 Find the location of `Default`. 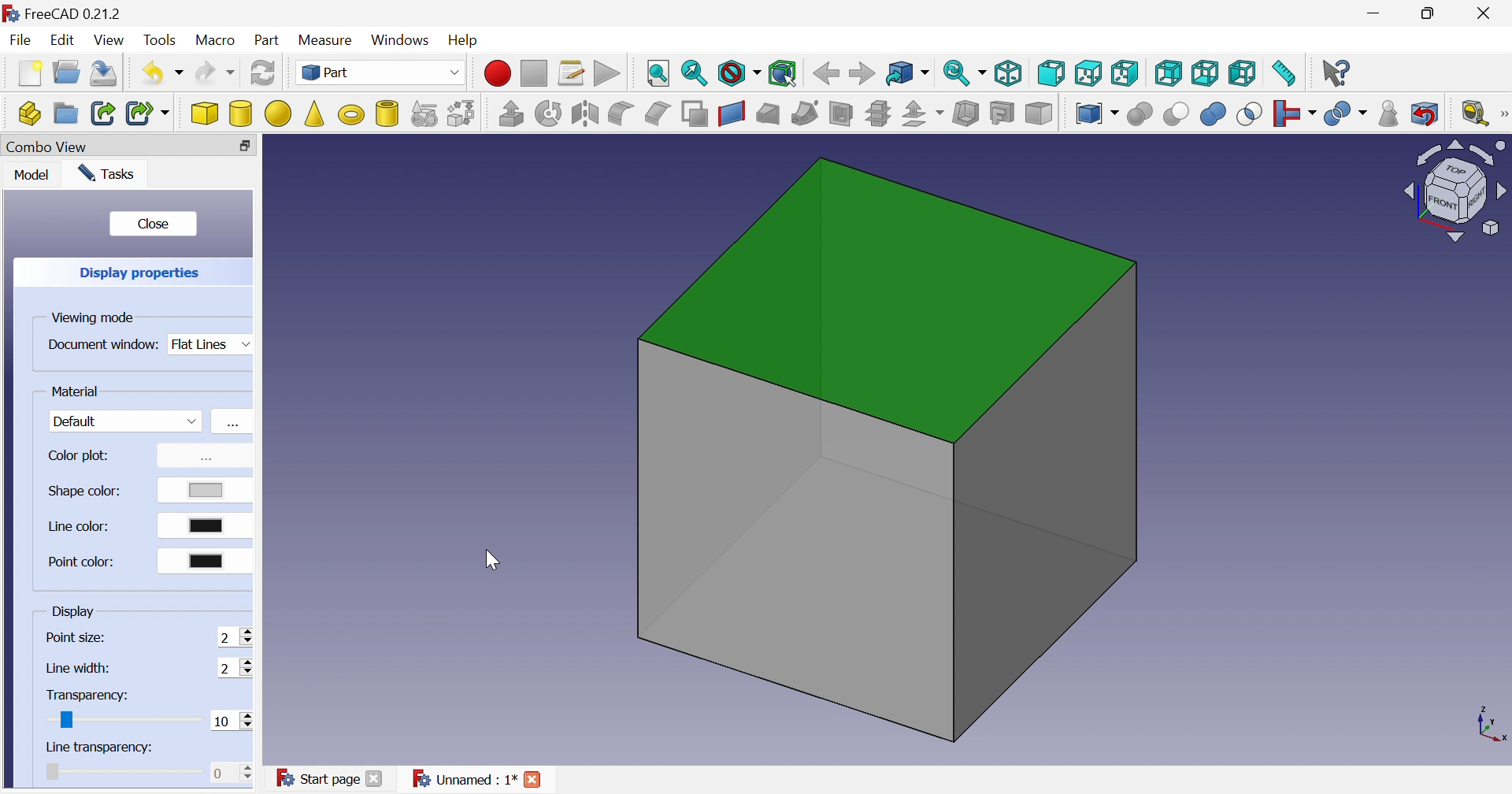

Default is located at coordinates (128, 420).